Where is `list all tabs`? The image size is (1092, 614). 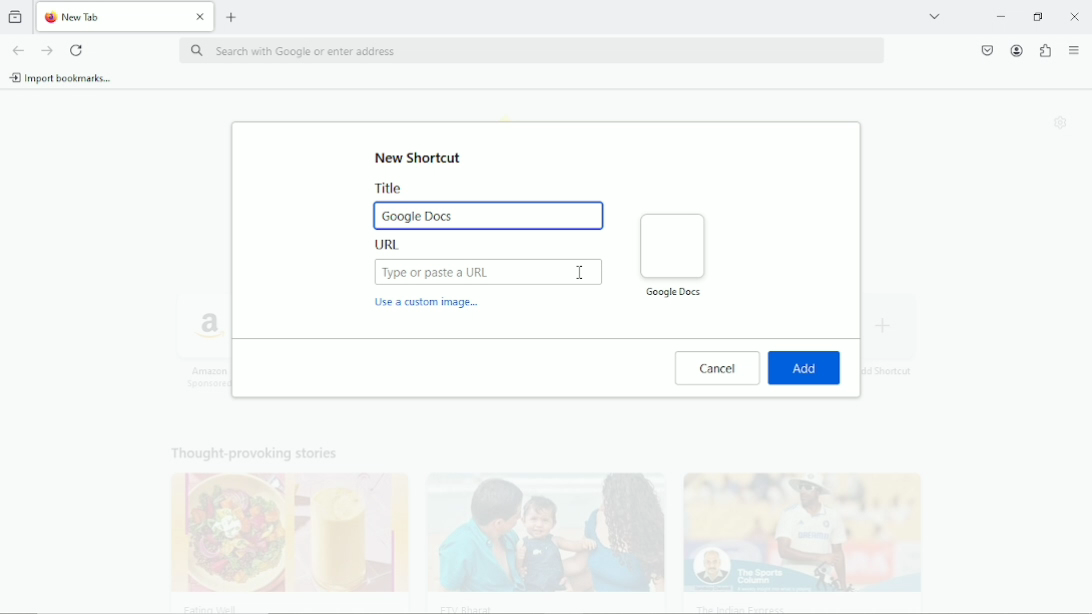
list all tabs is located at coordinates (934, 15).